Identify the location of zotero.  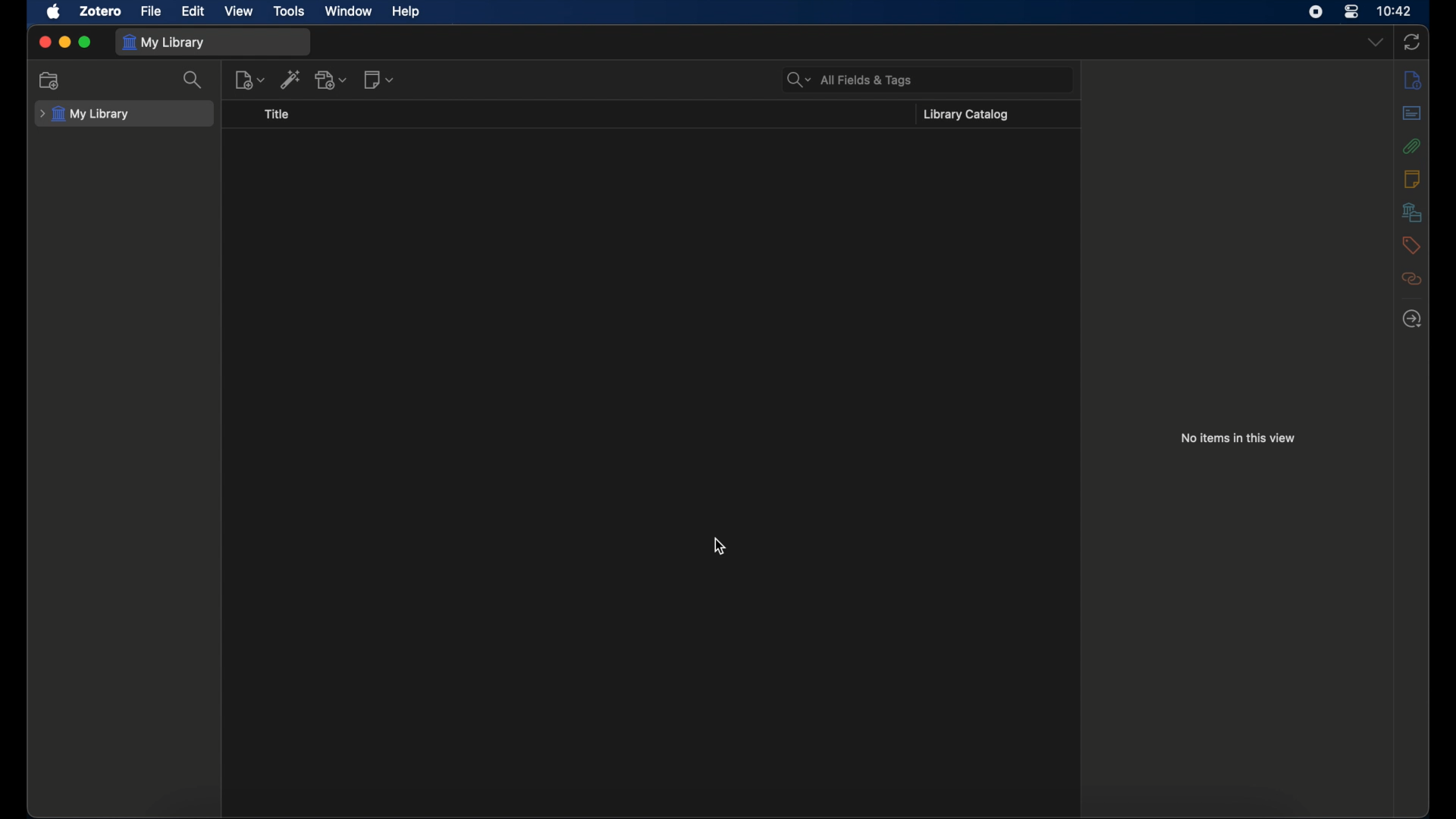
(99, 11).